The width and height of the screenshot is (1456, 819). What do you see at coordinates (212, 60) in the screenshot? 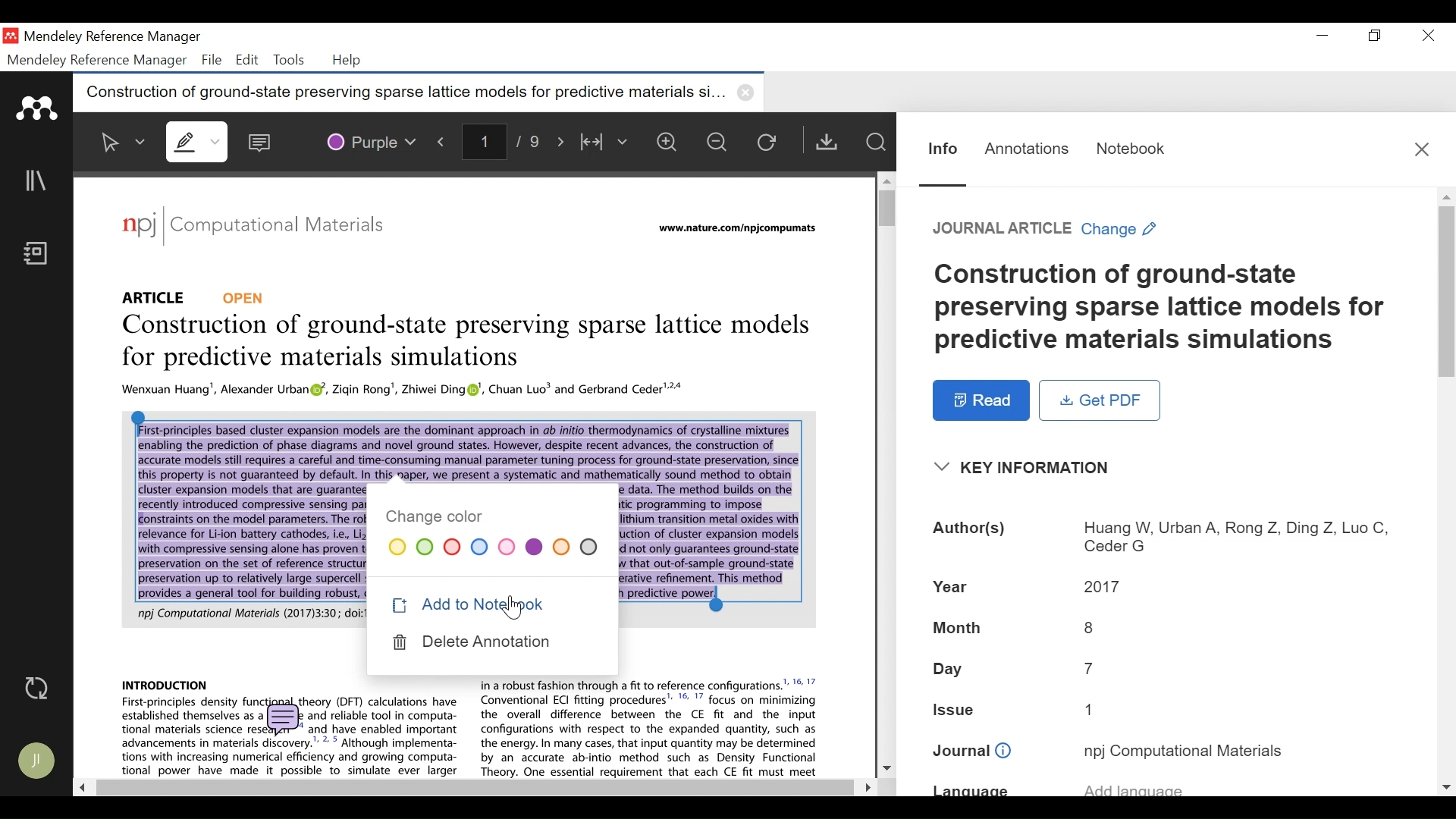
I see `File` at bounding box center [212, 60].